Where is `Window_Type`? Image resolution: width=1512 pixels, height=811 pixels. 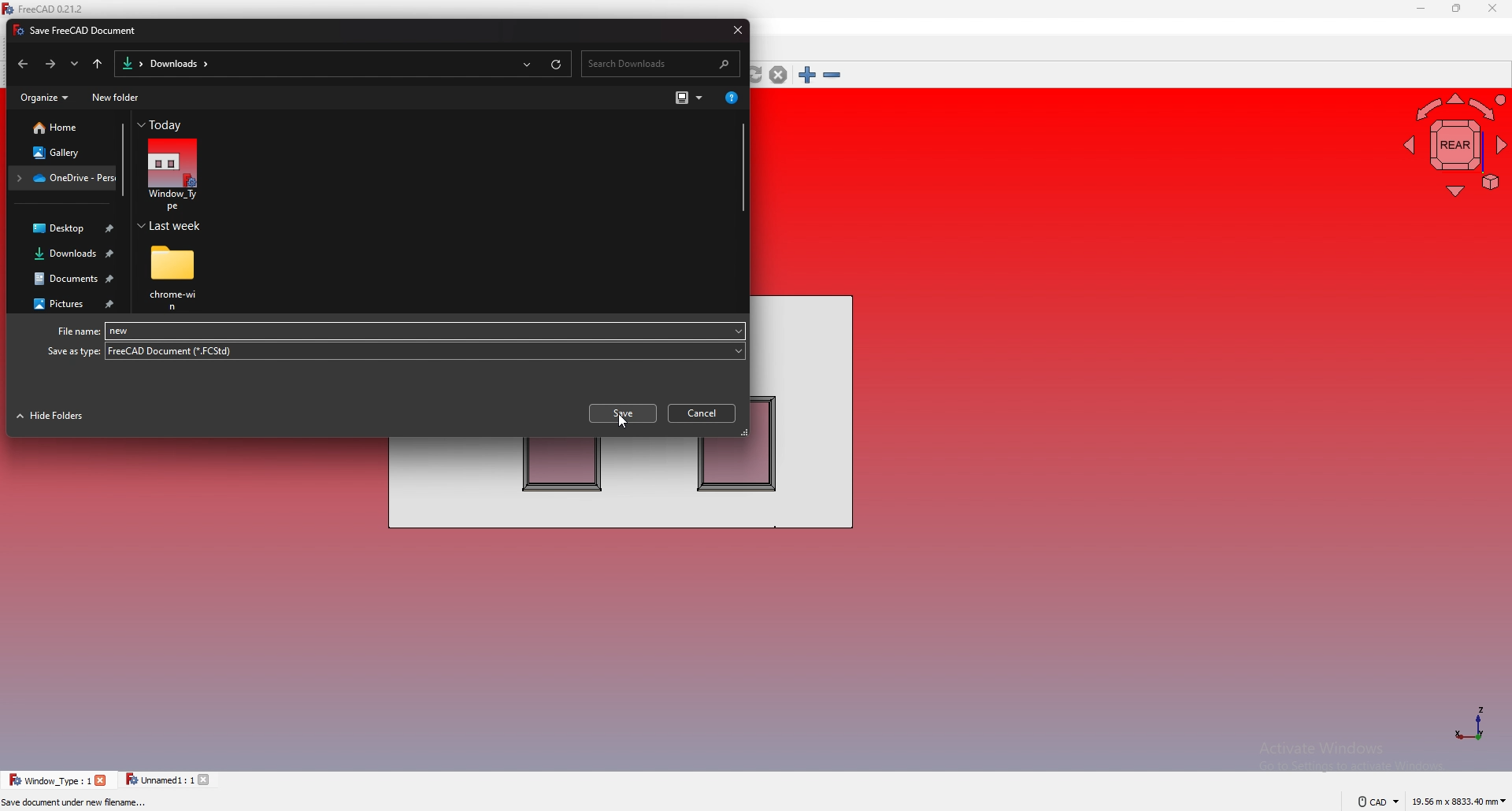 Window_Type is located at coordinates (428, 330).